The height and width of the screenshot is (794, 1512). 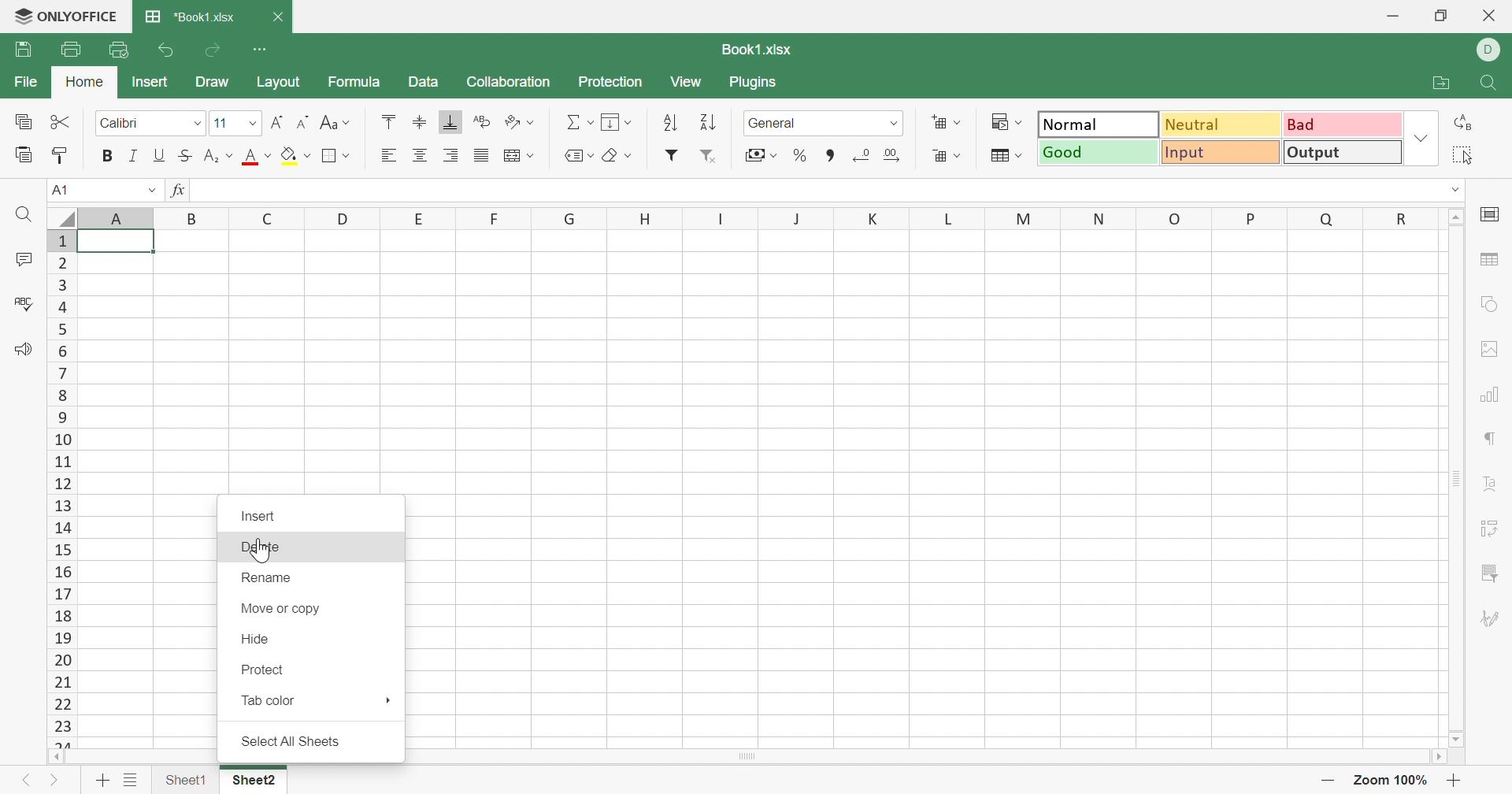 What do you see at coordinates (109, 155) in the screenshot?
I see `Bold` at bounding box center [109, 155].